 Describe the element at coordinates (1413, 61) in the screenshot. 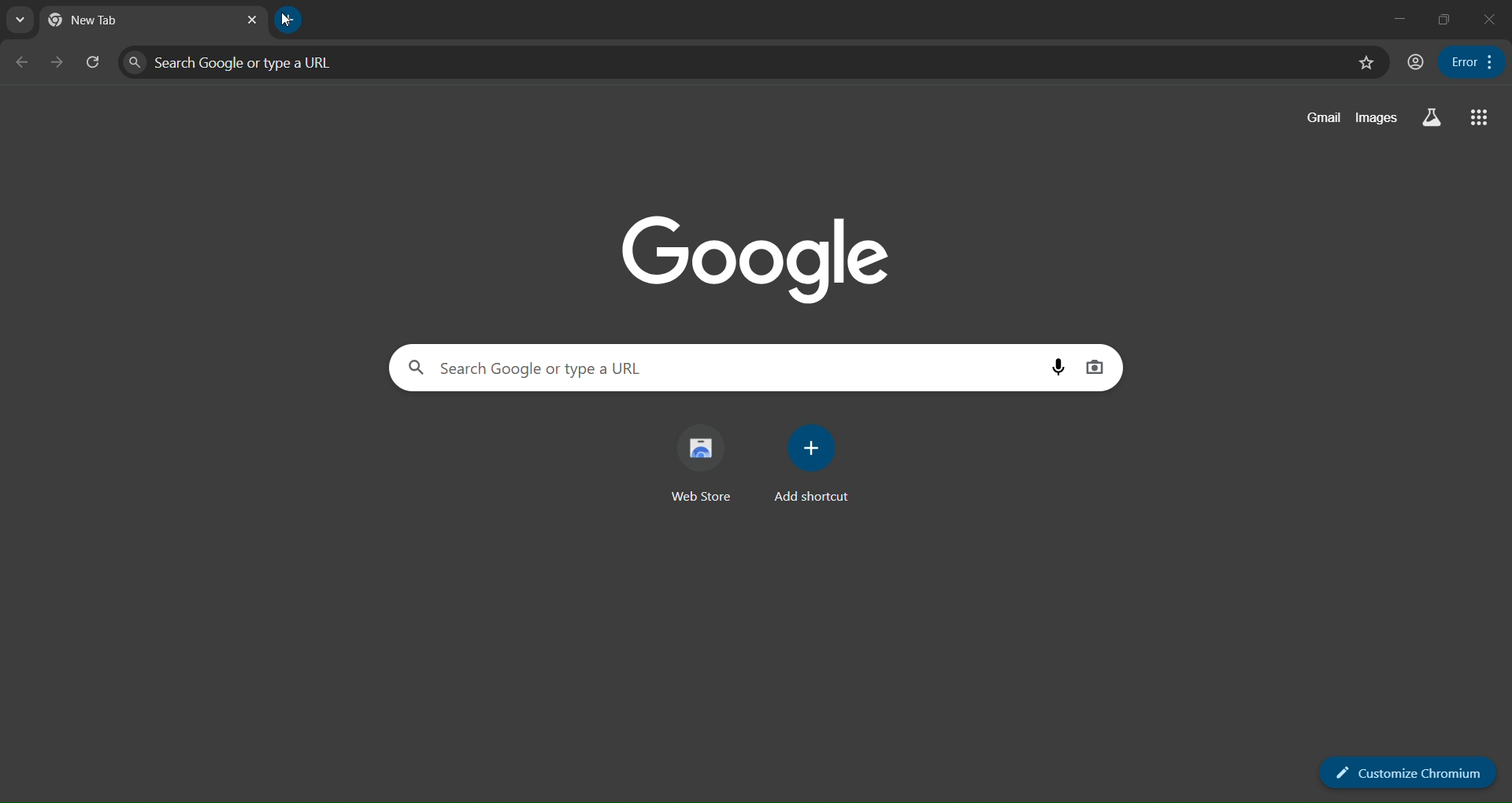

I see `user` at that location.